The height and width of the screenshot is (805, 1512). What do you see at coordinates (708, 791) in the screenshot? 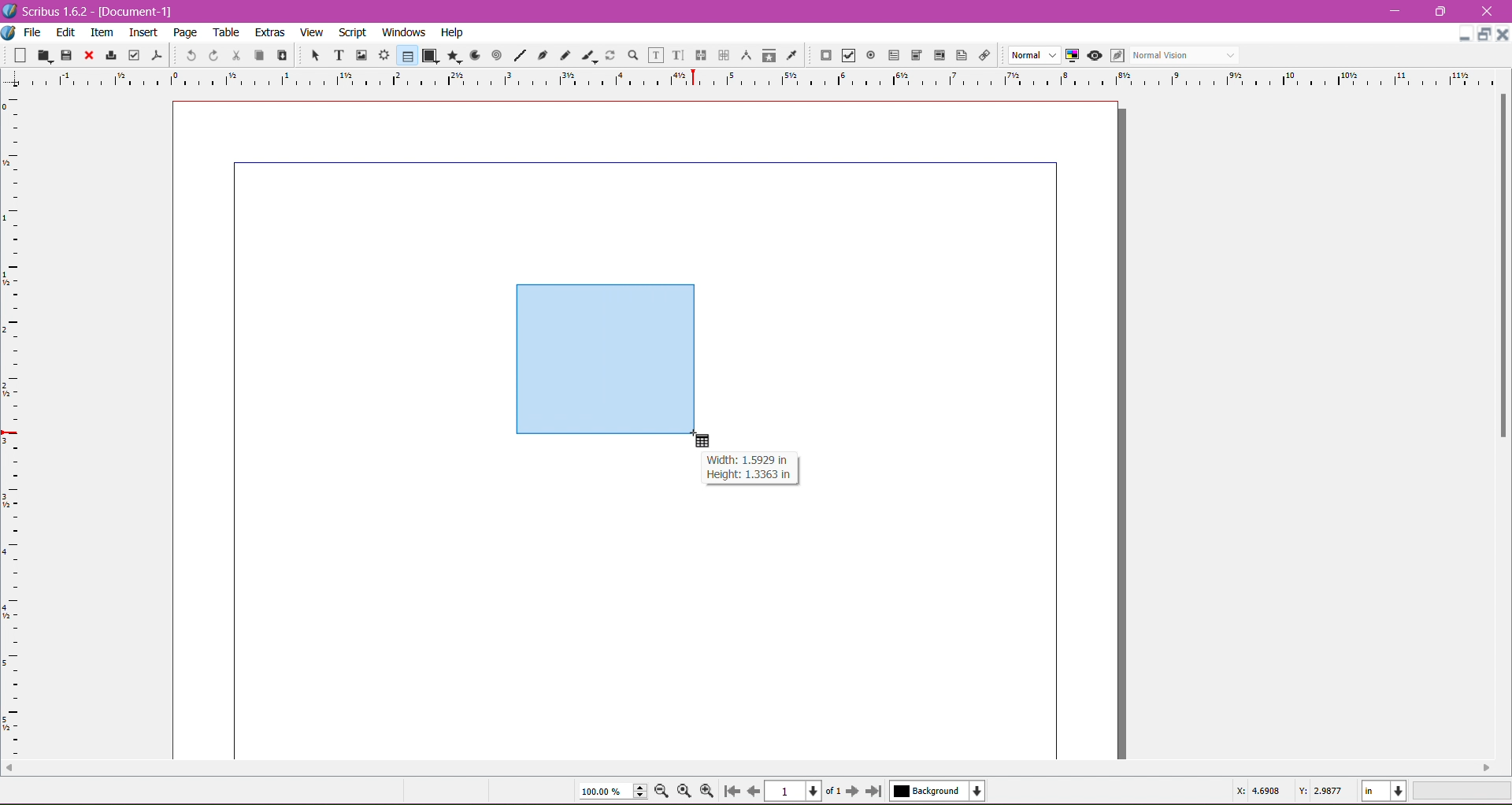
I see `Zoom in` at bounding box center [708, 791].